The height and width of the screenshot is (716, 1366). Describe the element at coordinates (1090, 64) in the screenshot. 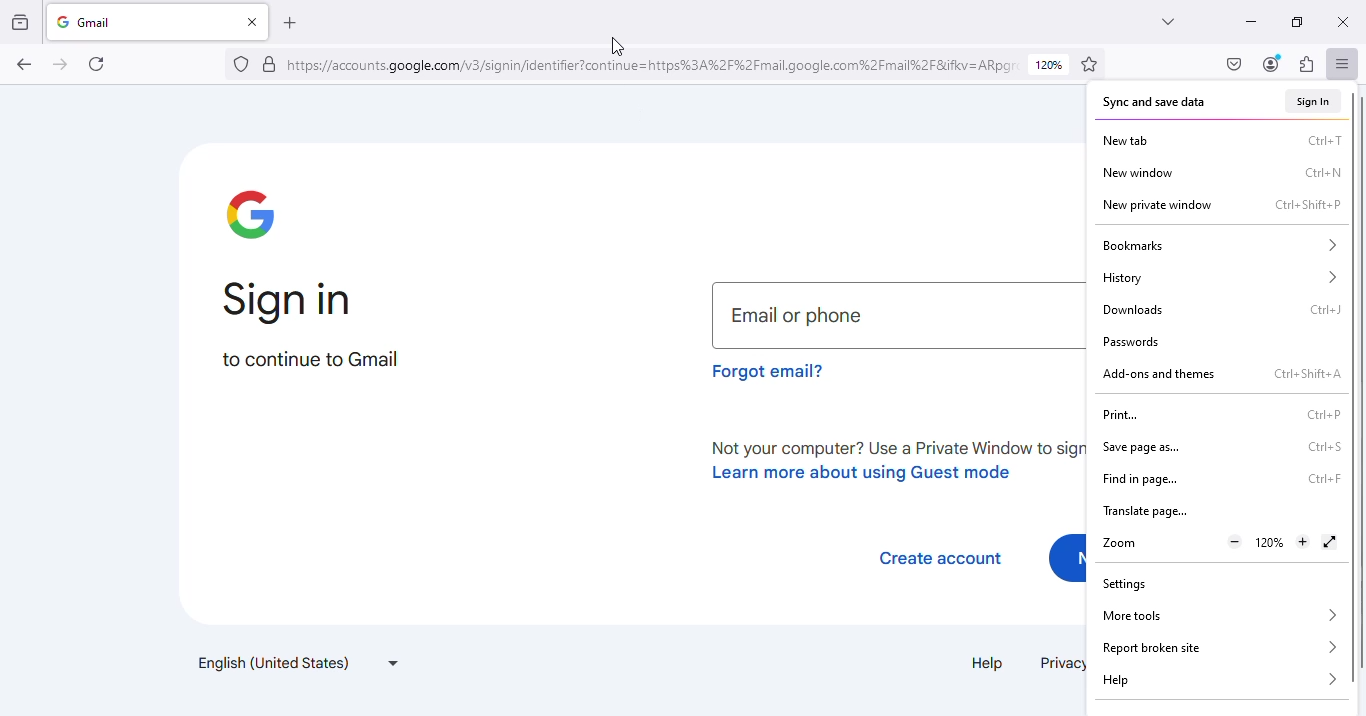

I see `bookmark this page` at that location.